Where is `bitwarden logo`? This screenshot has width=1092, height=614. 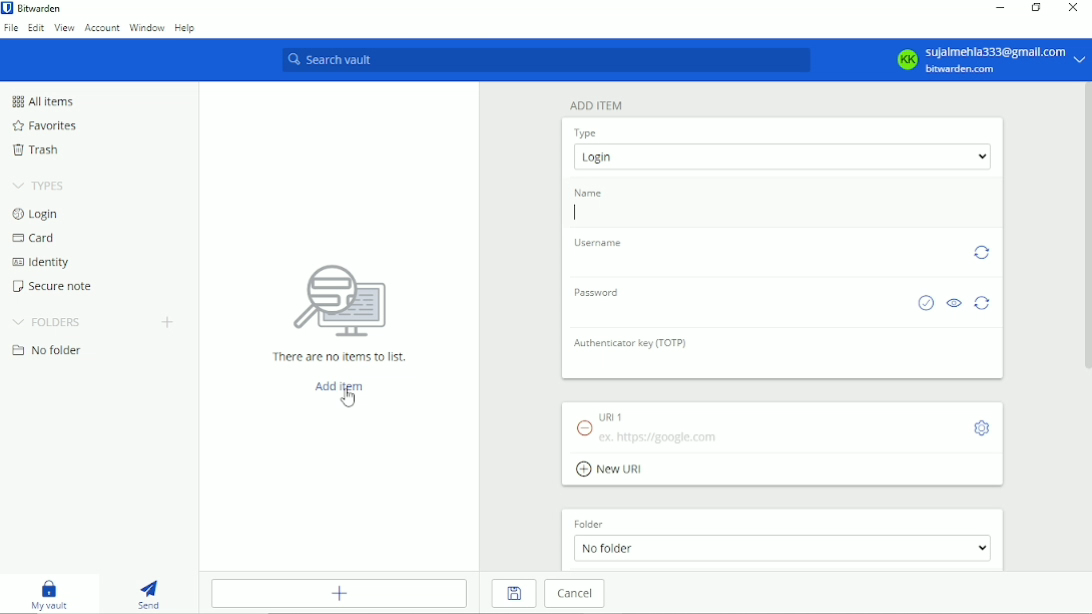 bitwarden logo is located at coordinates (7, 8).